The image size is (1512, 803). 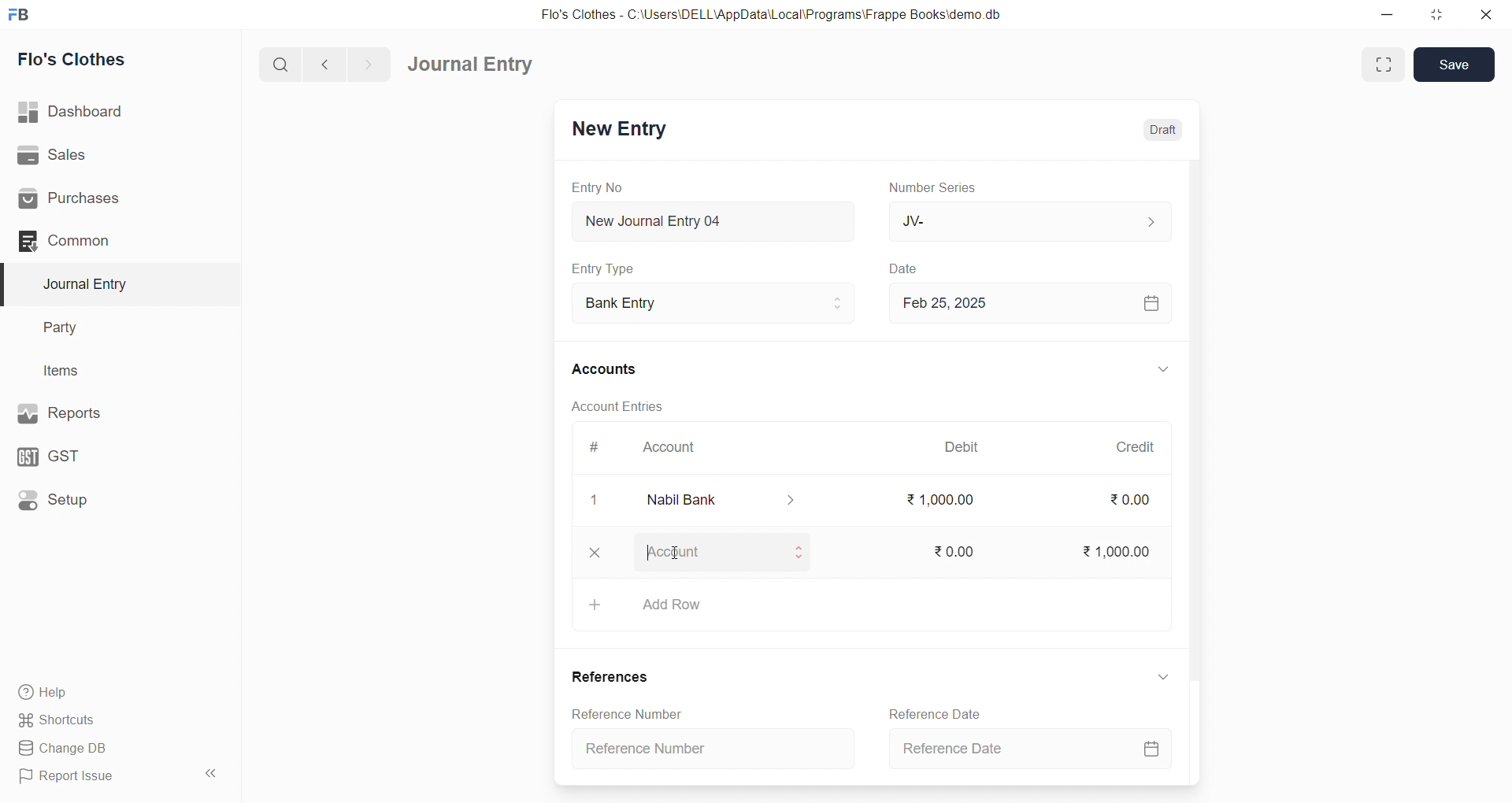 What do you see at coordinates (869, 610) in the screenshot?
I see `Add Row ` at bounding box center [869, 610].